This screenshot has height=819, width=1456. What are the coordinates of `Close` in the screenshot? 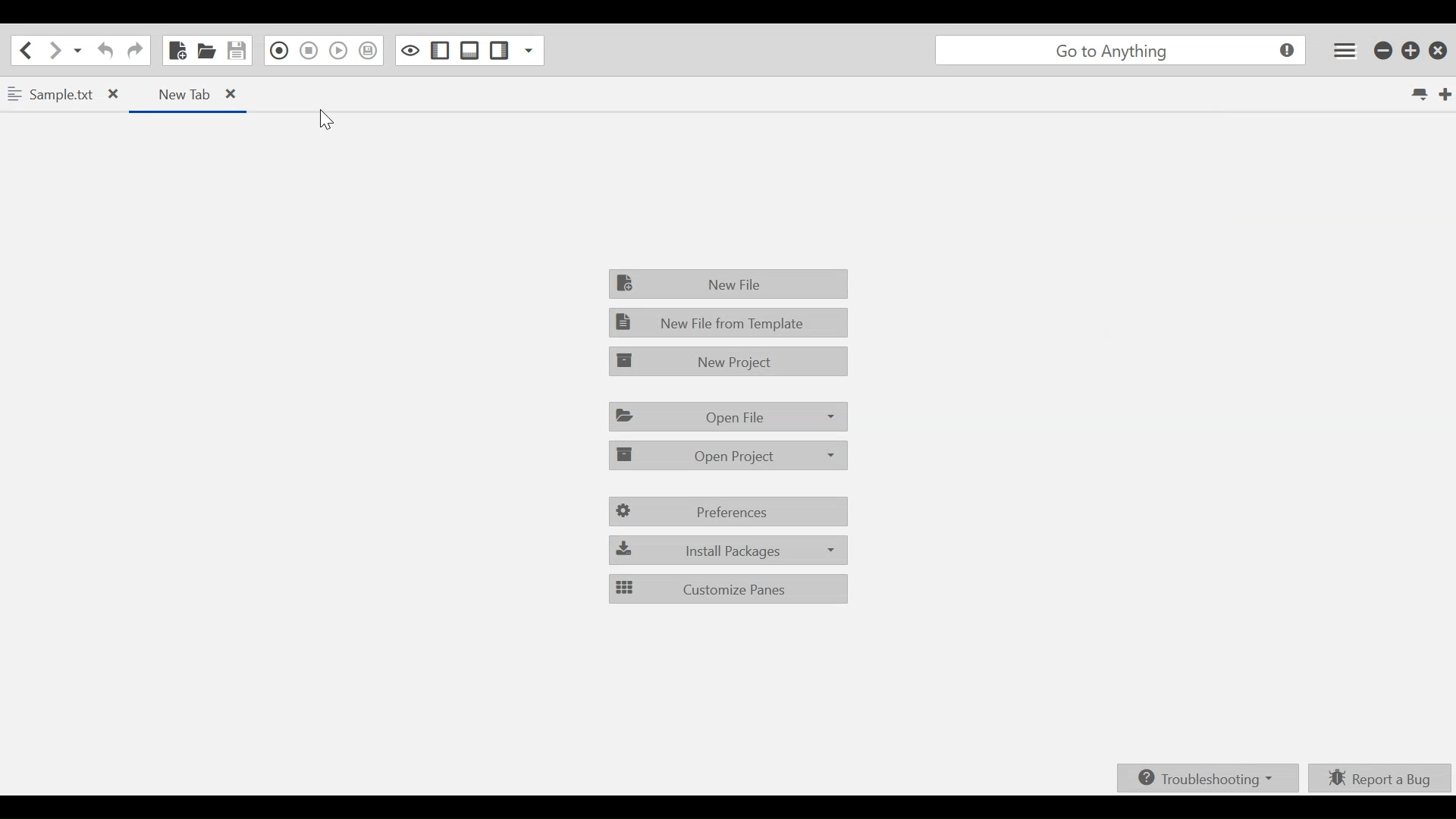 It's located at (230, 93).